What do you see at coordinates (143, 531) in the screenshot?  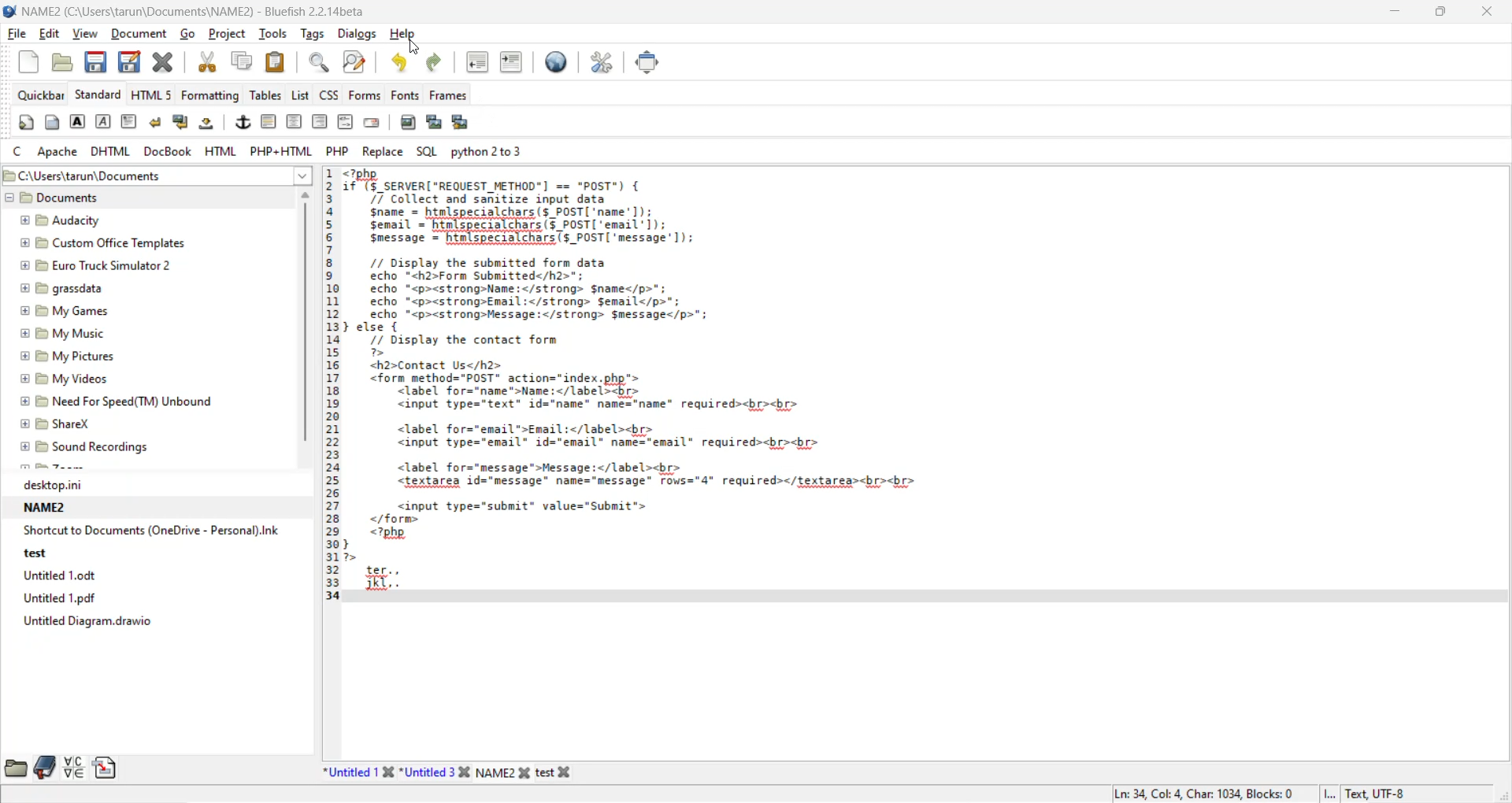 I see `Shortcut to Documents (OneDrive - Personal).Ink` at bounding box center [143, 531].